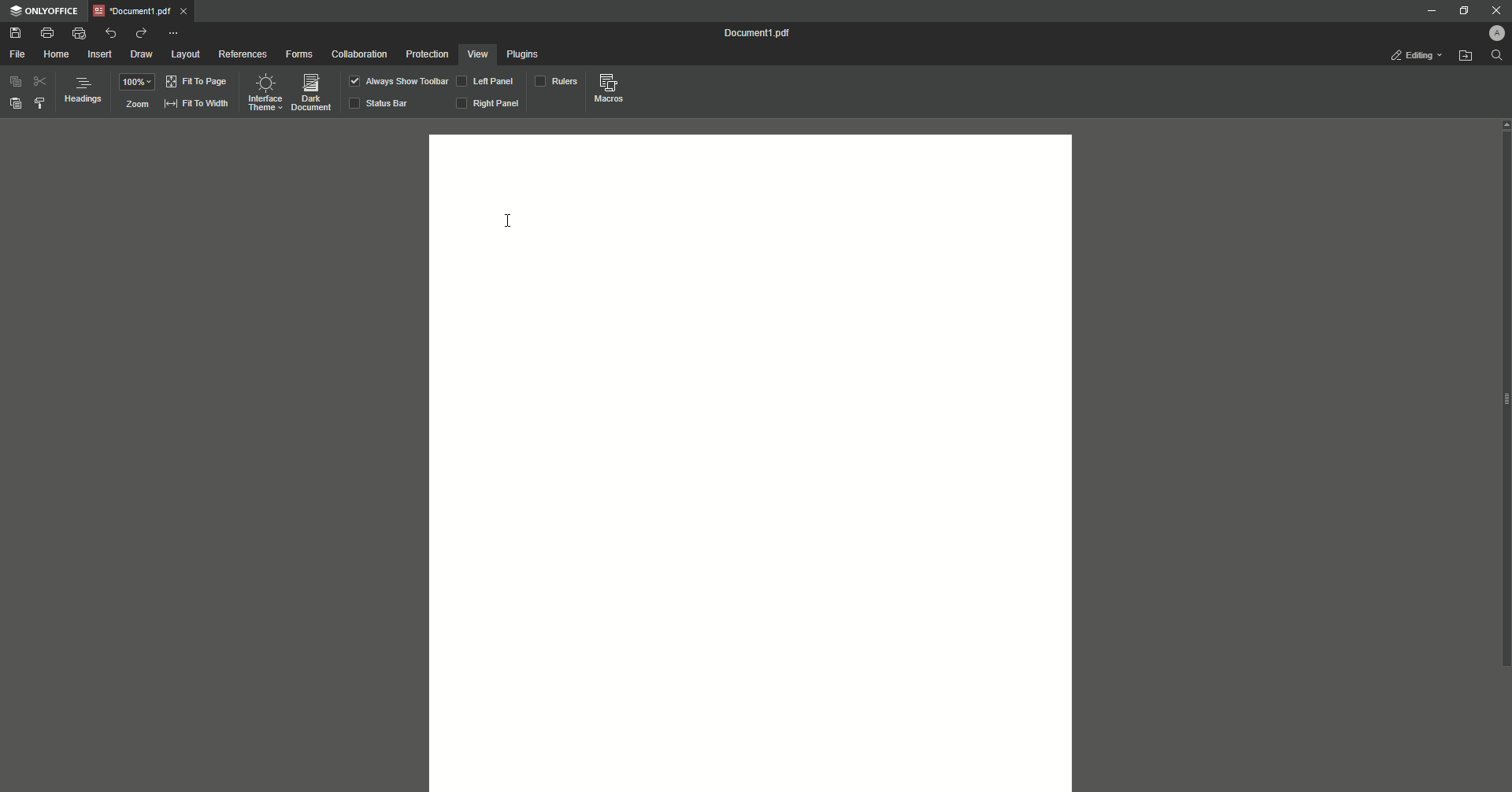  What do you see at coordinates (606, 87) in the screenshot?
I see `Macros` at bounding box center [606, 87].